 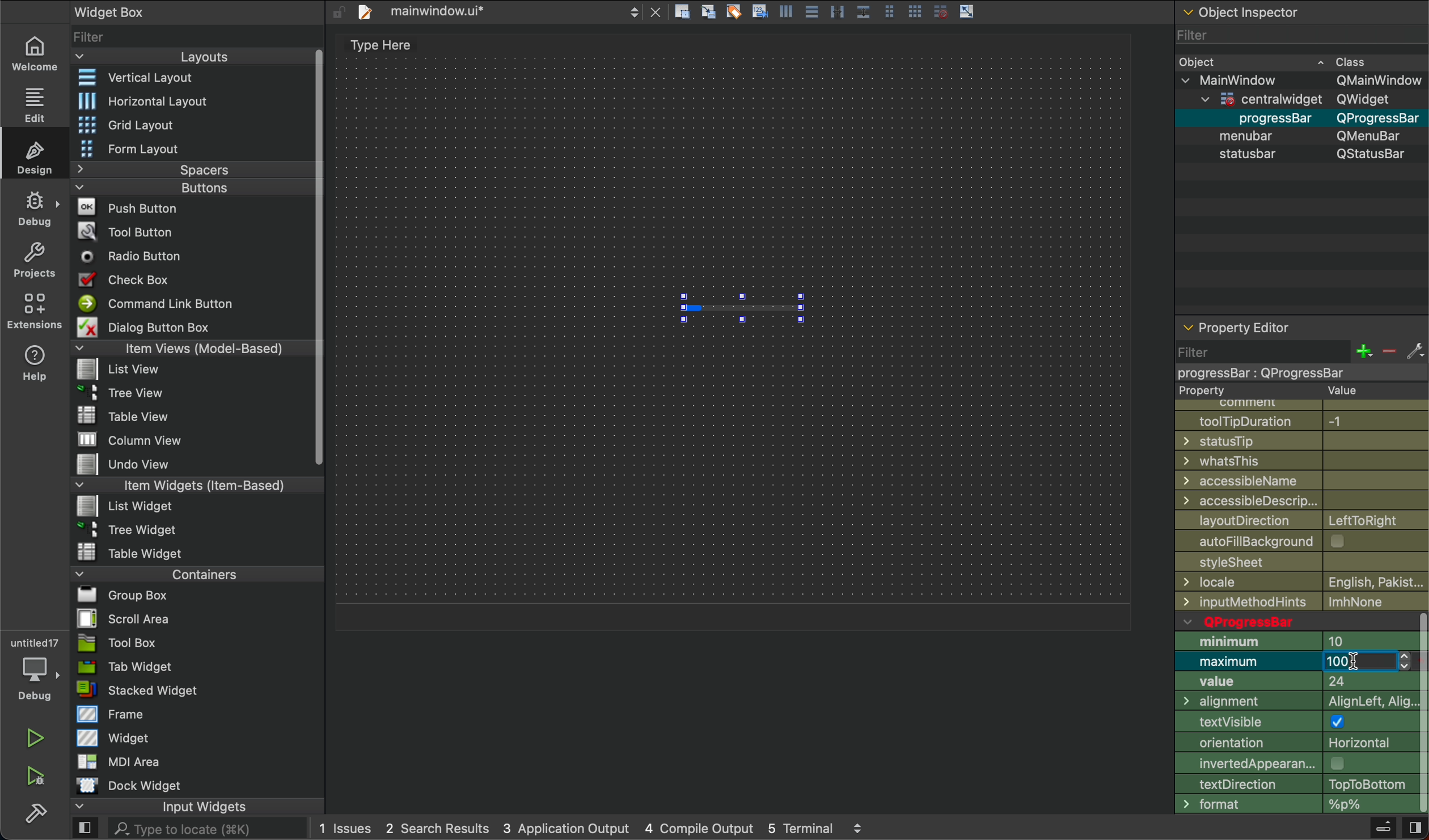 I want to click on Spacer, so click(x=177, y=169).